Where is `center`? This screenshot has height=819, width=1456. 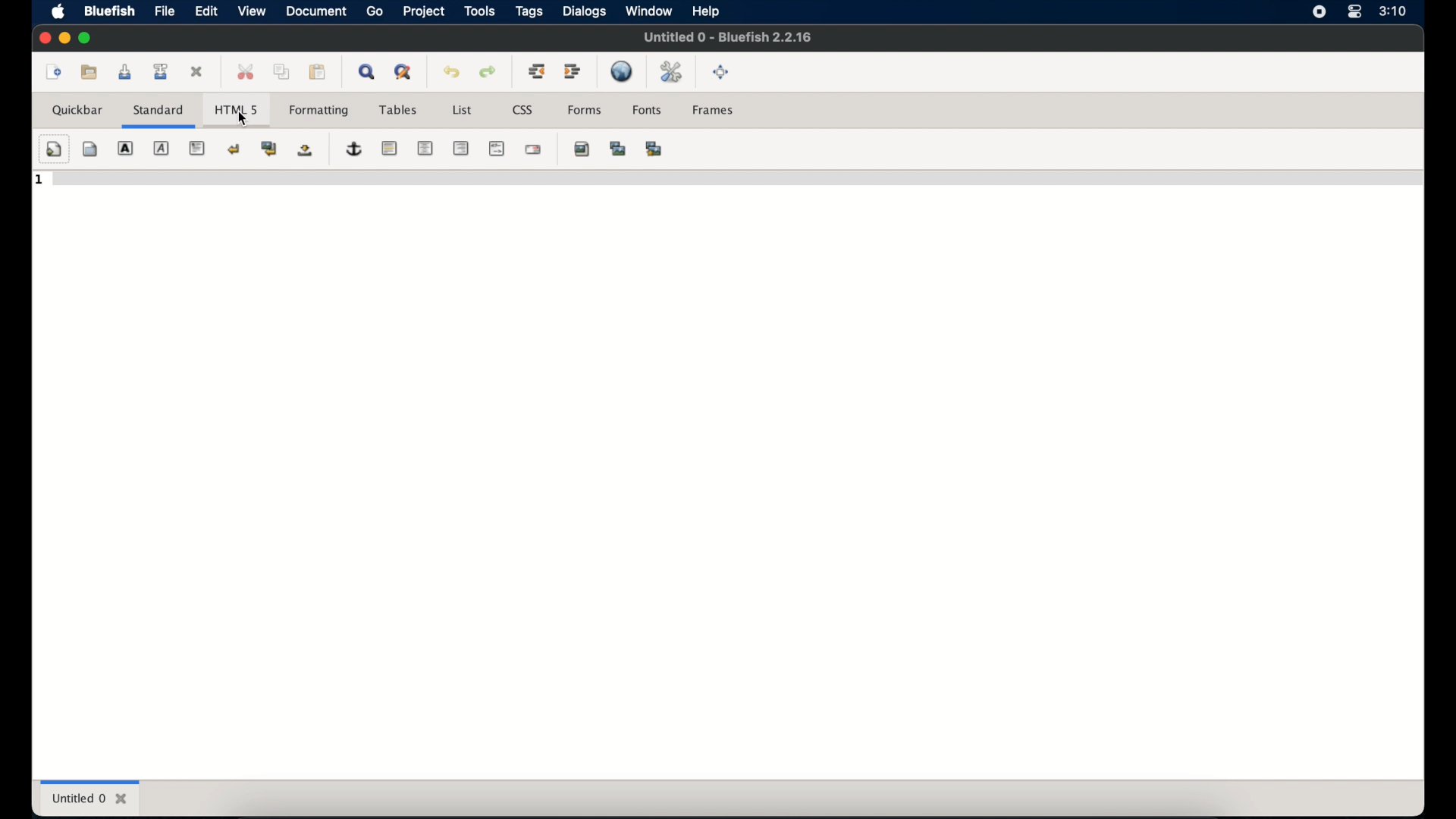 center is located at coordinates (425, 149).